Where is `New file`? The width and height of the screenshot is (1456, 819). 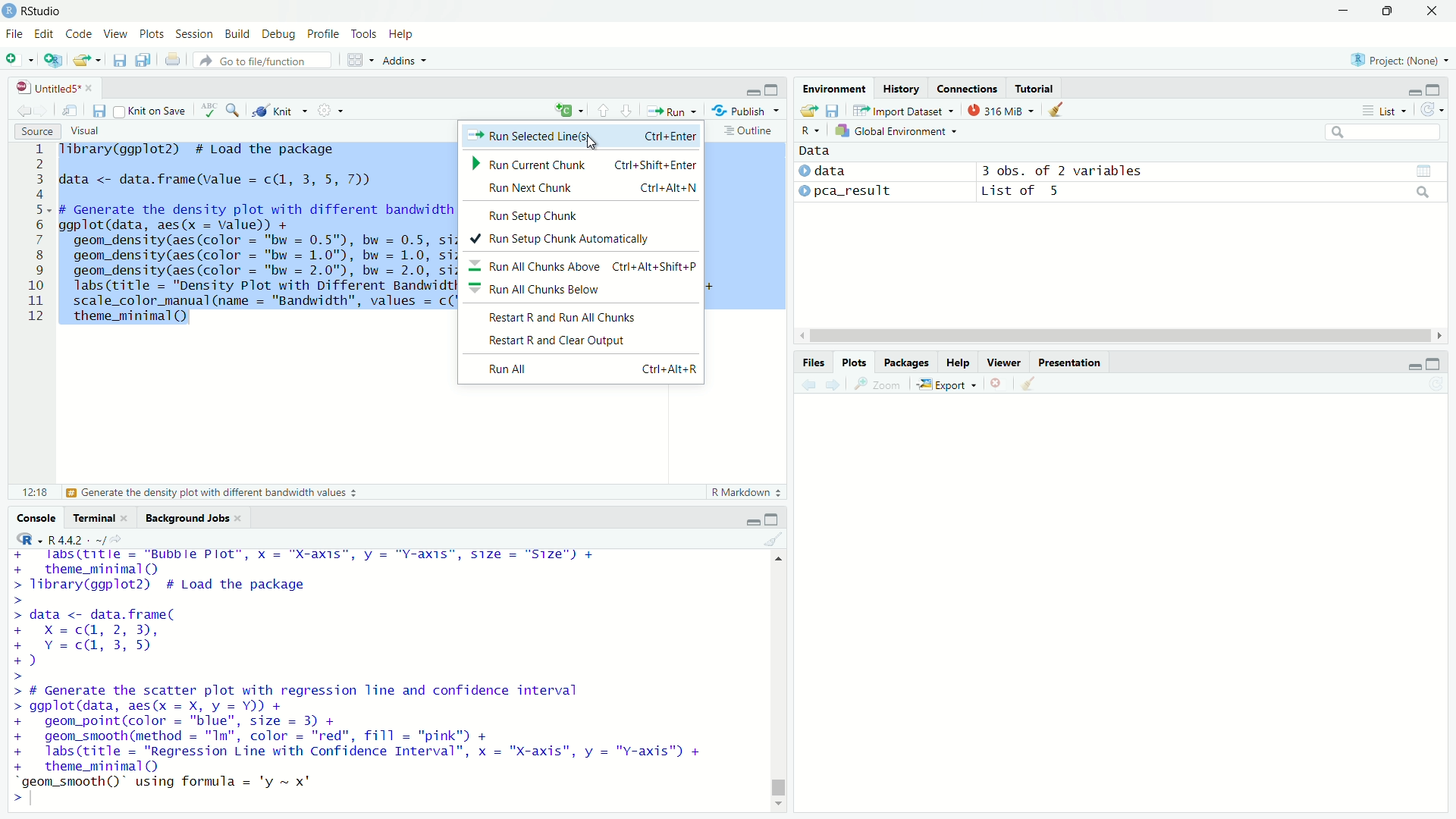
New file is located at coordinates (20, 59).